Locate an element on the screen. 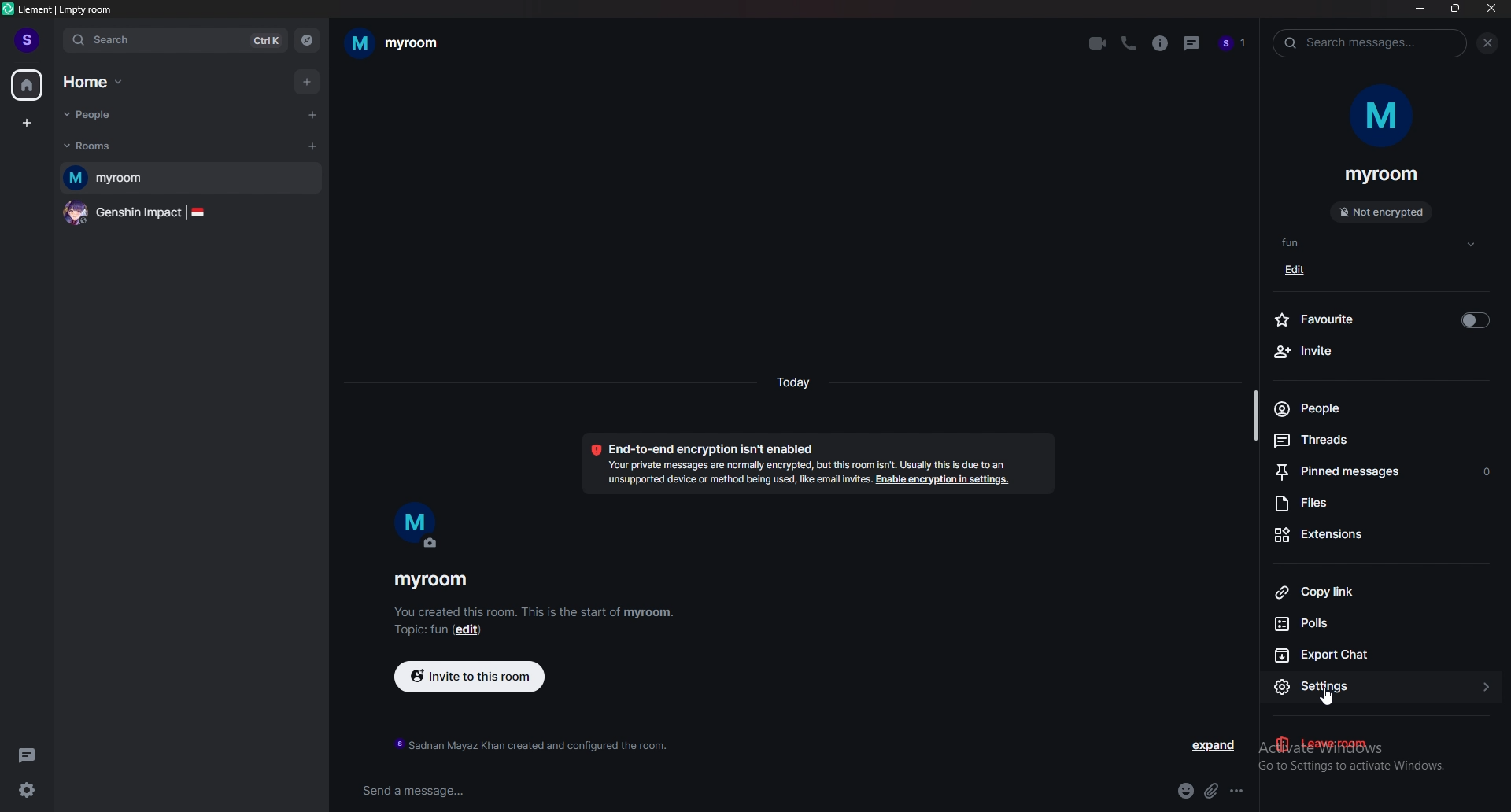 The height and width of the screenshot is (812, 1511). threads is located at coordinates (1192, 43).